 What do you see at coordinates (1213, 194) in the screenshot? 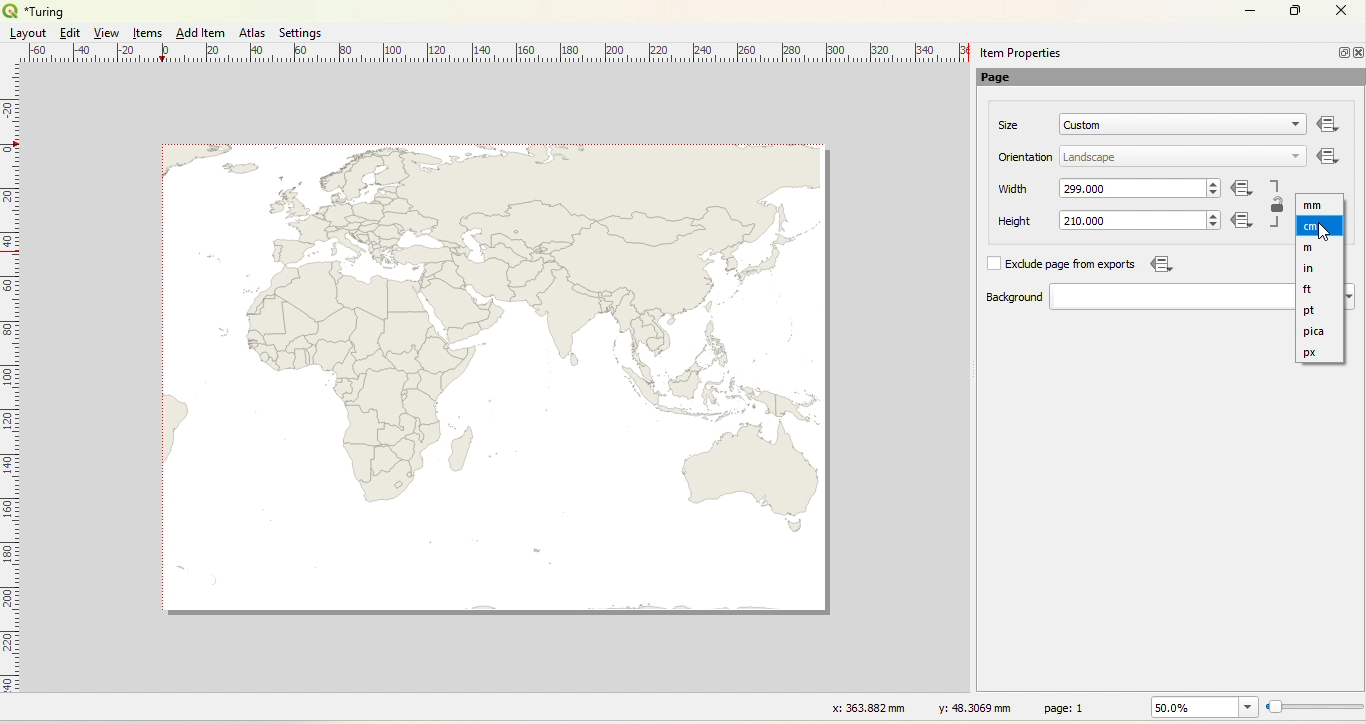
I see `decrease` at bounding box center [1213, 194].